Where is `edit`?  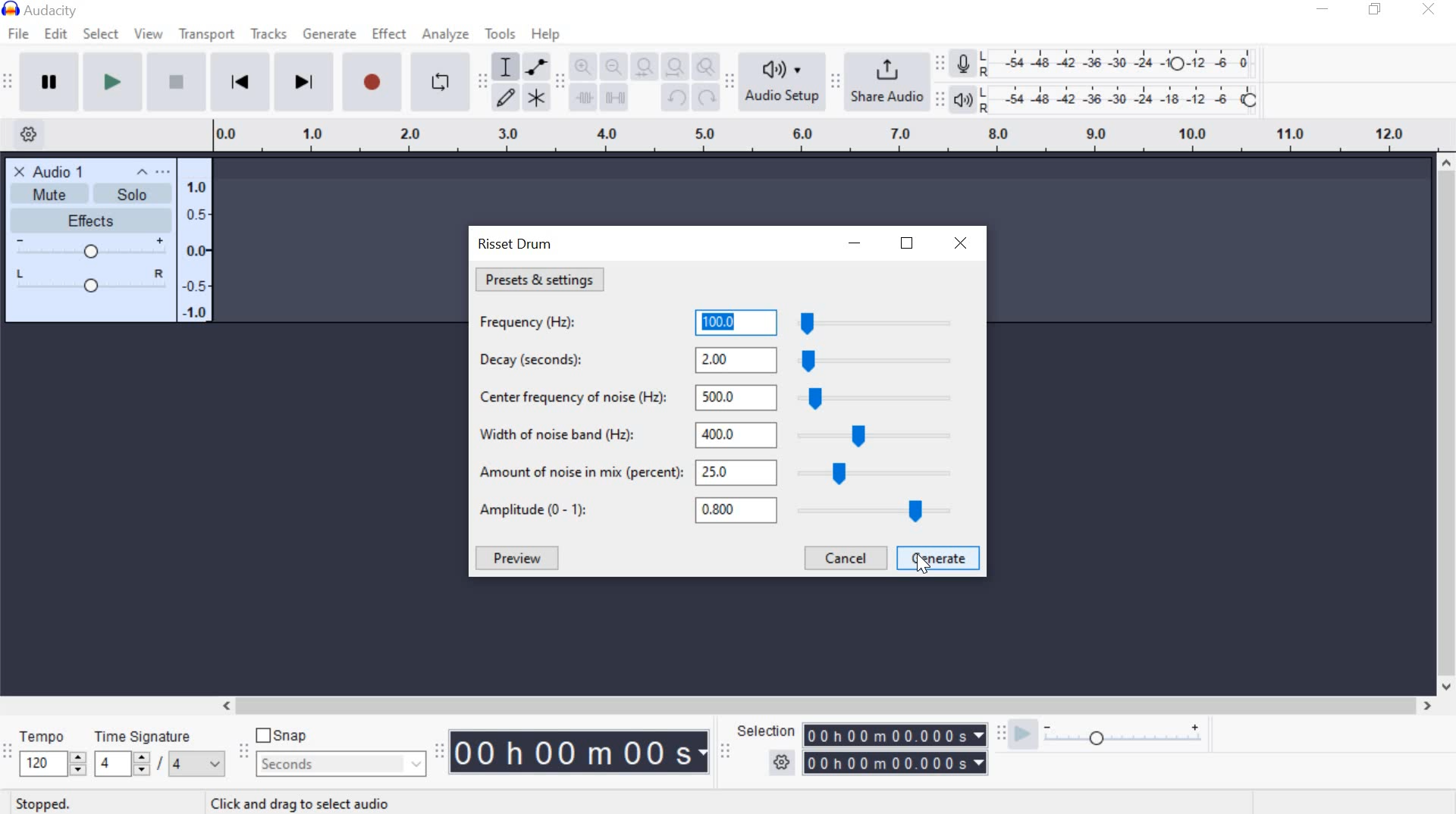 edit is located at coordinates (58, 33).